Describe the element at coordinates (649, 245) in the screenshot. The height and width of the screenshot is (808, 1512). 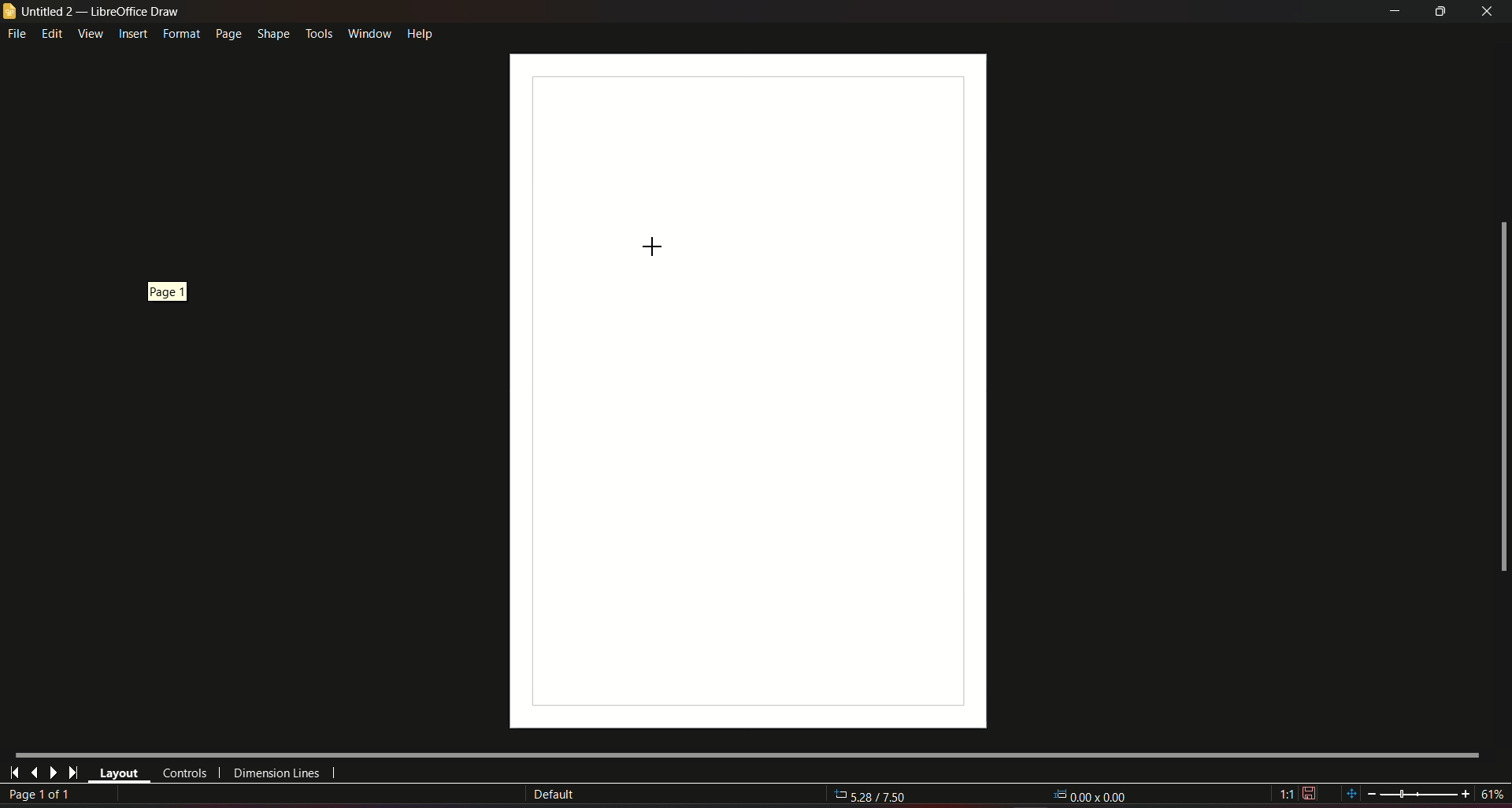
I see `Cursor` at that location.